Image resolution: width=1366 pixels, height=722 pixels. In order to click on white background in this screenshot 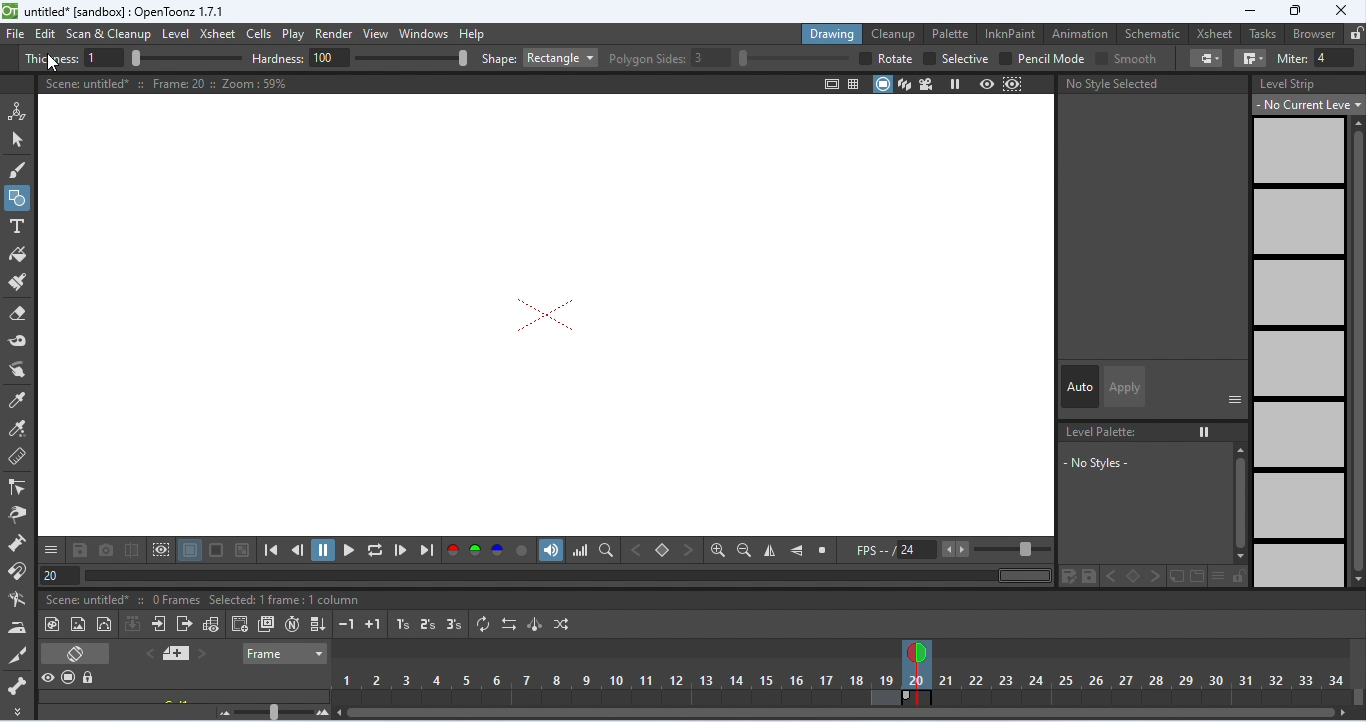, I will do `click(189, 550)`.